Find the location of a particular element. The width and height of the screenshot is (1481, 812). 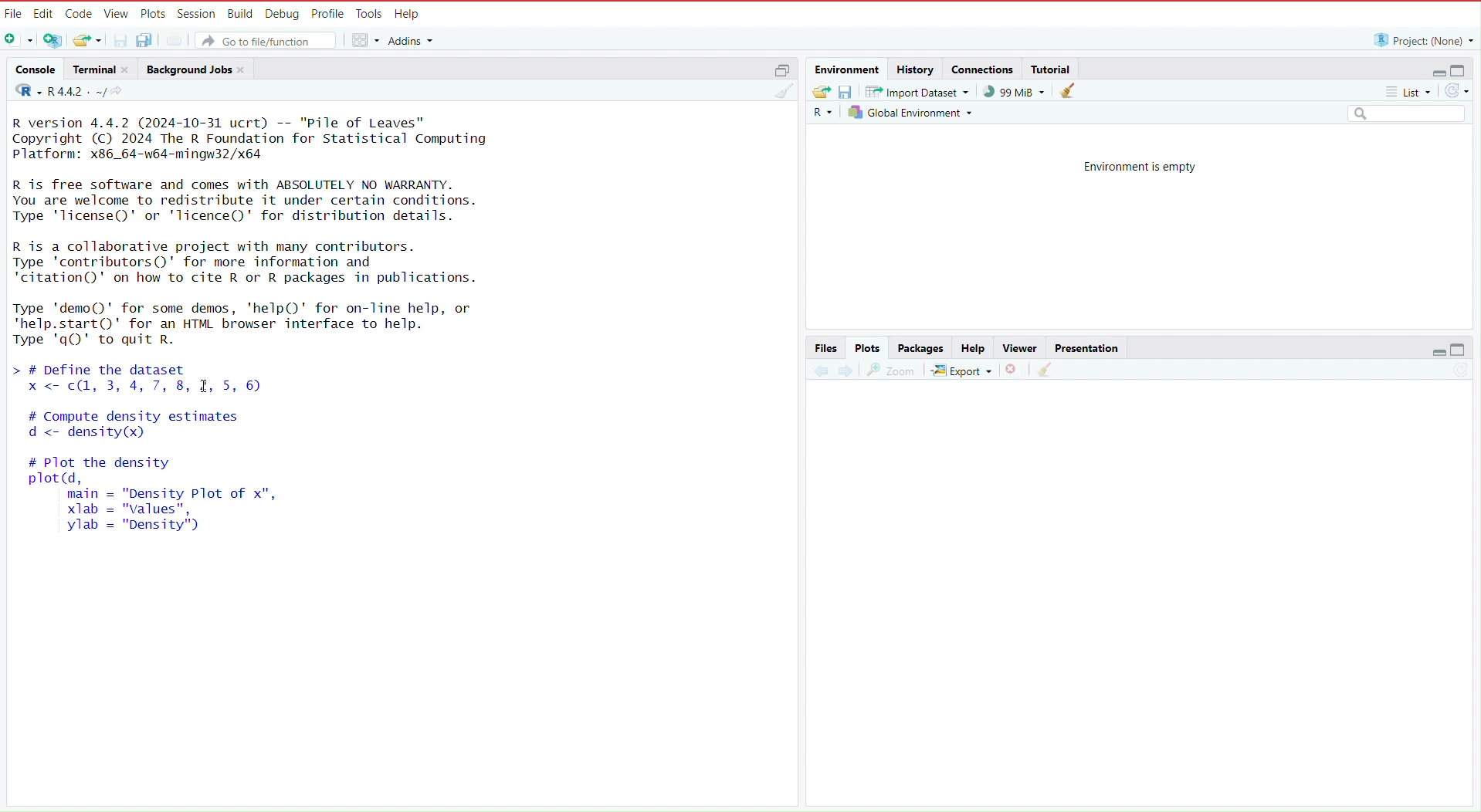

load workspace is located at coordinates (819, 92).